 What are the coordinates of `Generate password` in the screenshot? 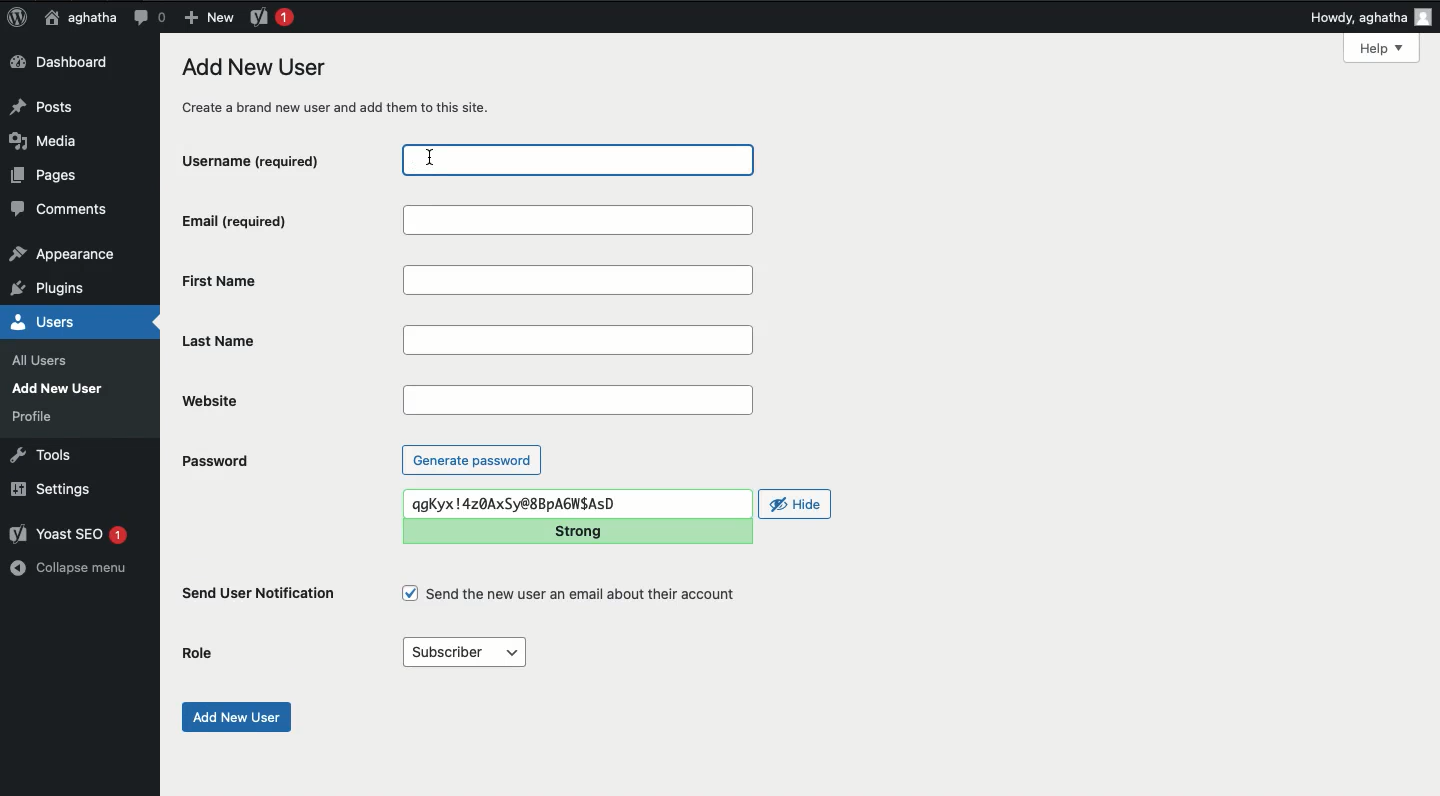 It's located at (472, 459).